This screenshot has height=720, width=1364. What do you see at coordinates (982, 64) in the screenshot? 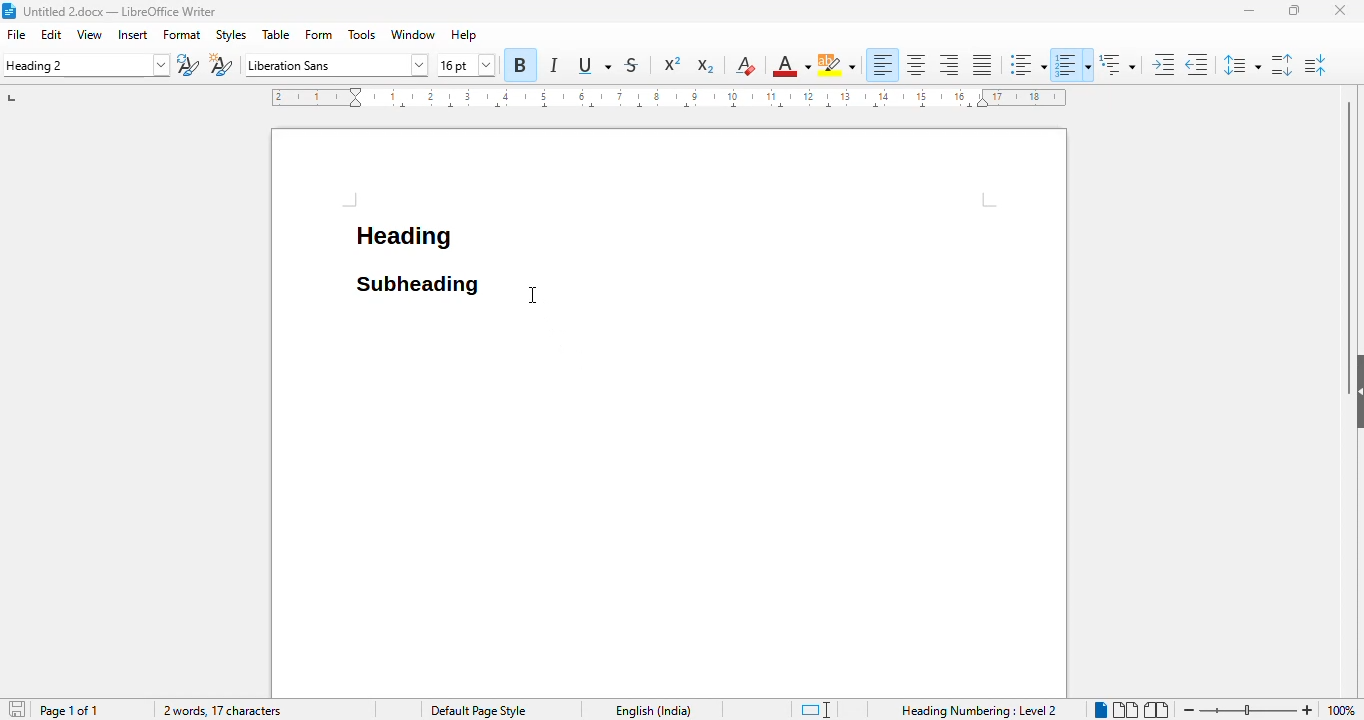
I see `justified` at bounding box center [982, 64].